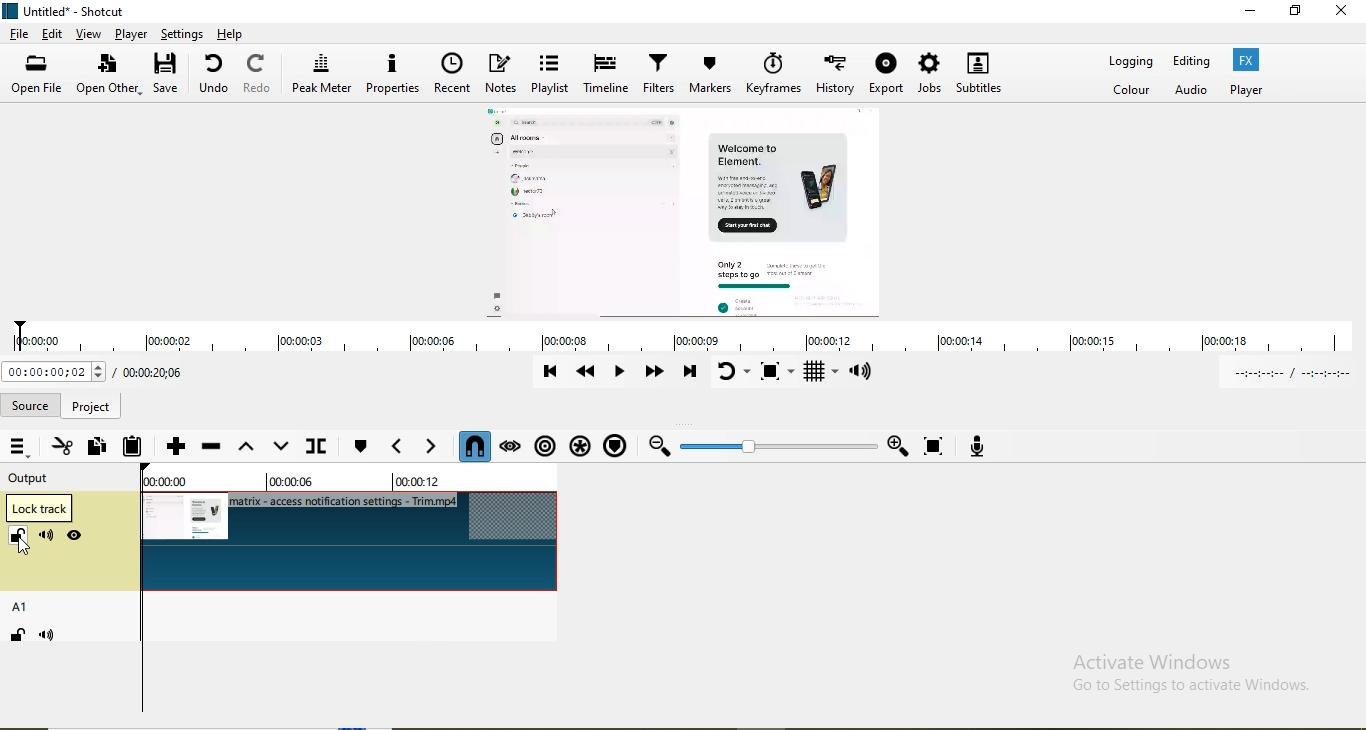  I want to click on Zoom in, so click(896, 446).